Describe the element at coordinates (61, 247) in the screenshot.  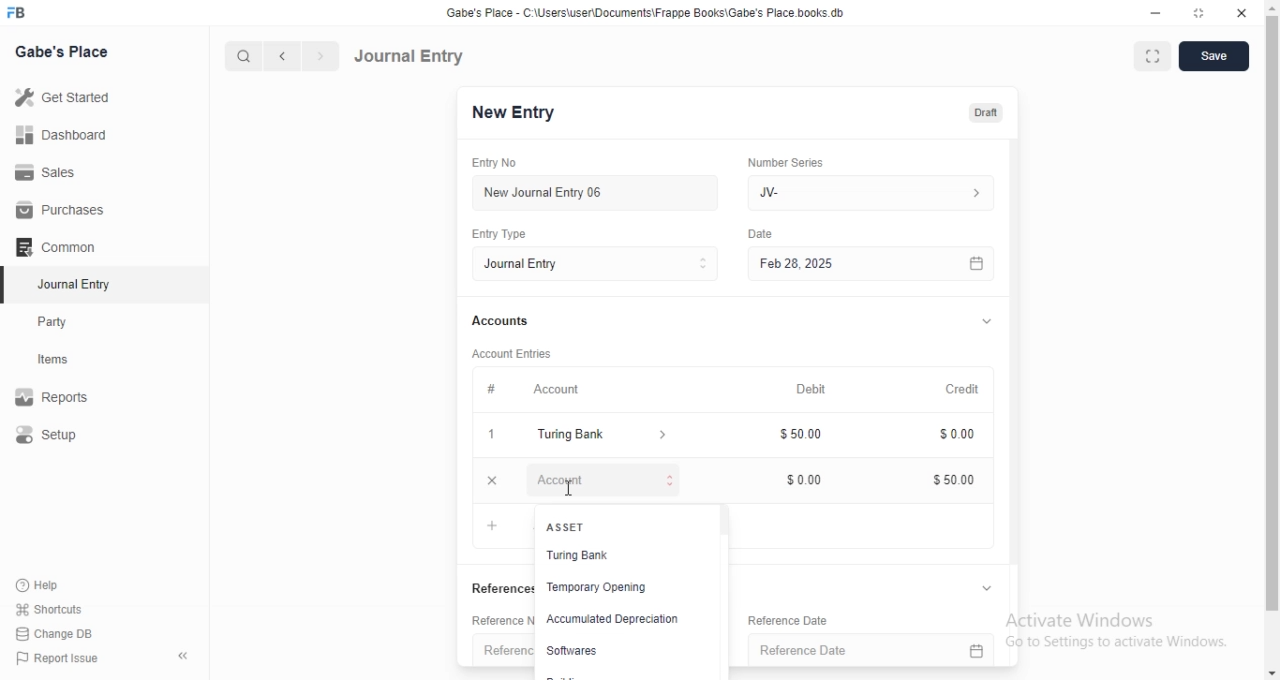
I see `Common` at that location.